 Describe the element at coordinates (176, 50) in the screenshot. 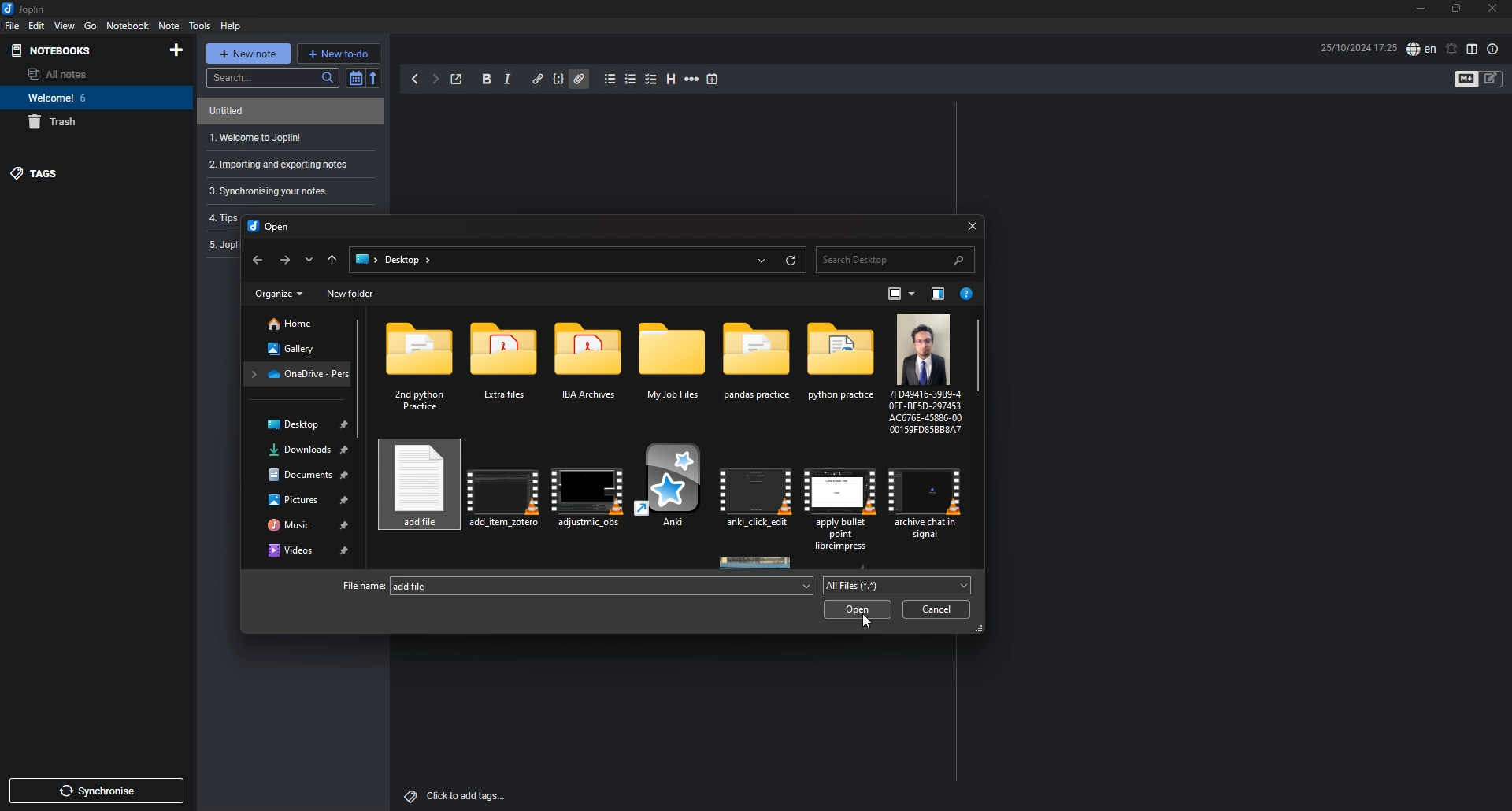

I see `add notebook` at that location.